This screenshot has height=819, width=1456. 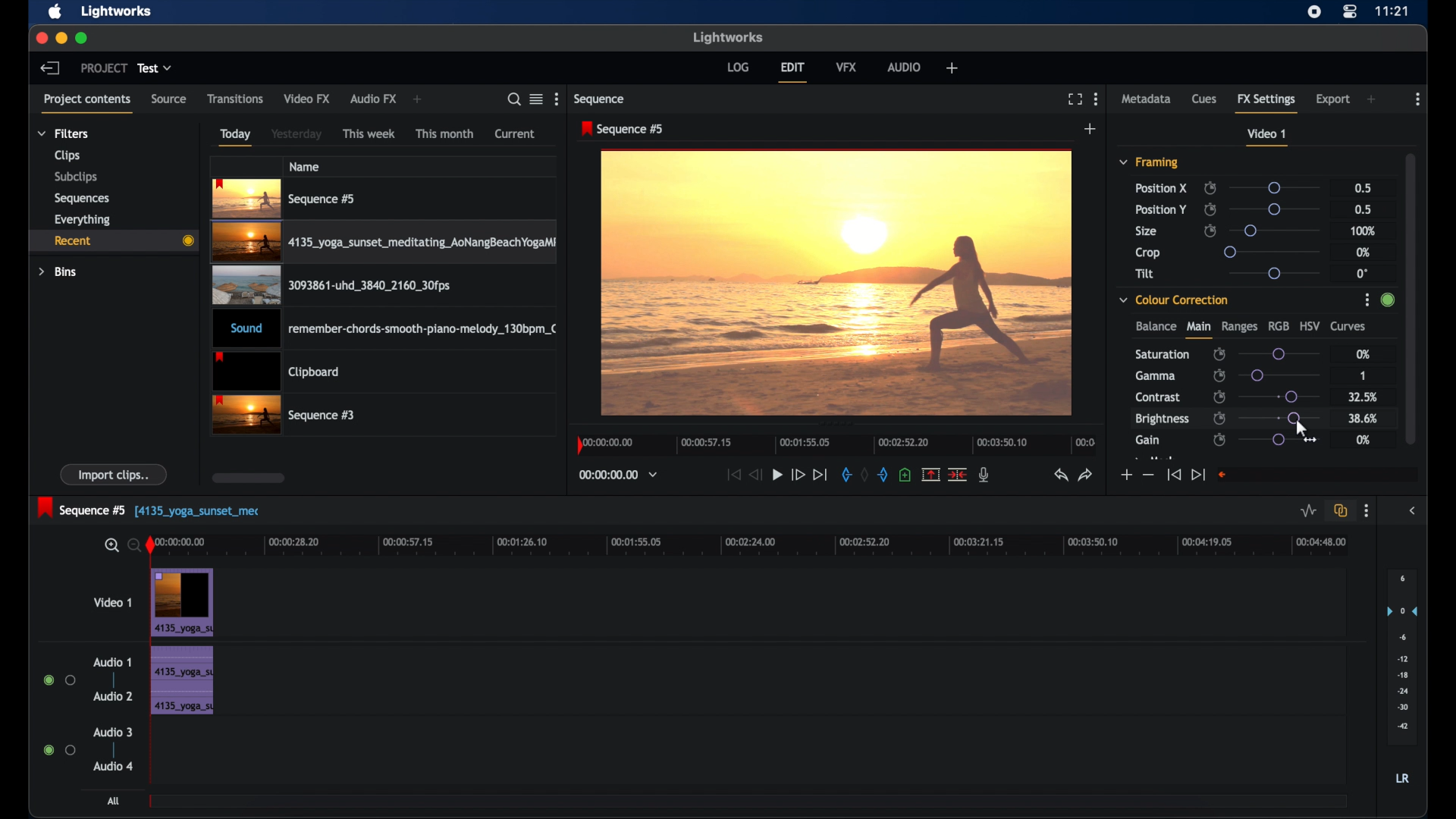 What do you see at coordinates (820, 475) in the screenshot?
I see `jump to end` at bounding box center [820, 475].